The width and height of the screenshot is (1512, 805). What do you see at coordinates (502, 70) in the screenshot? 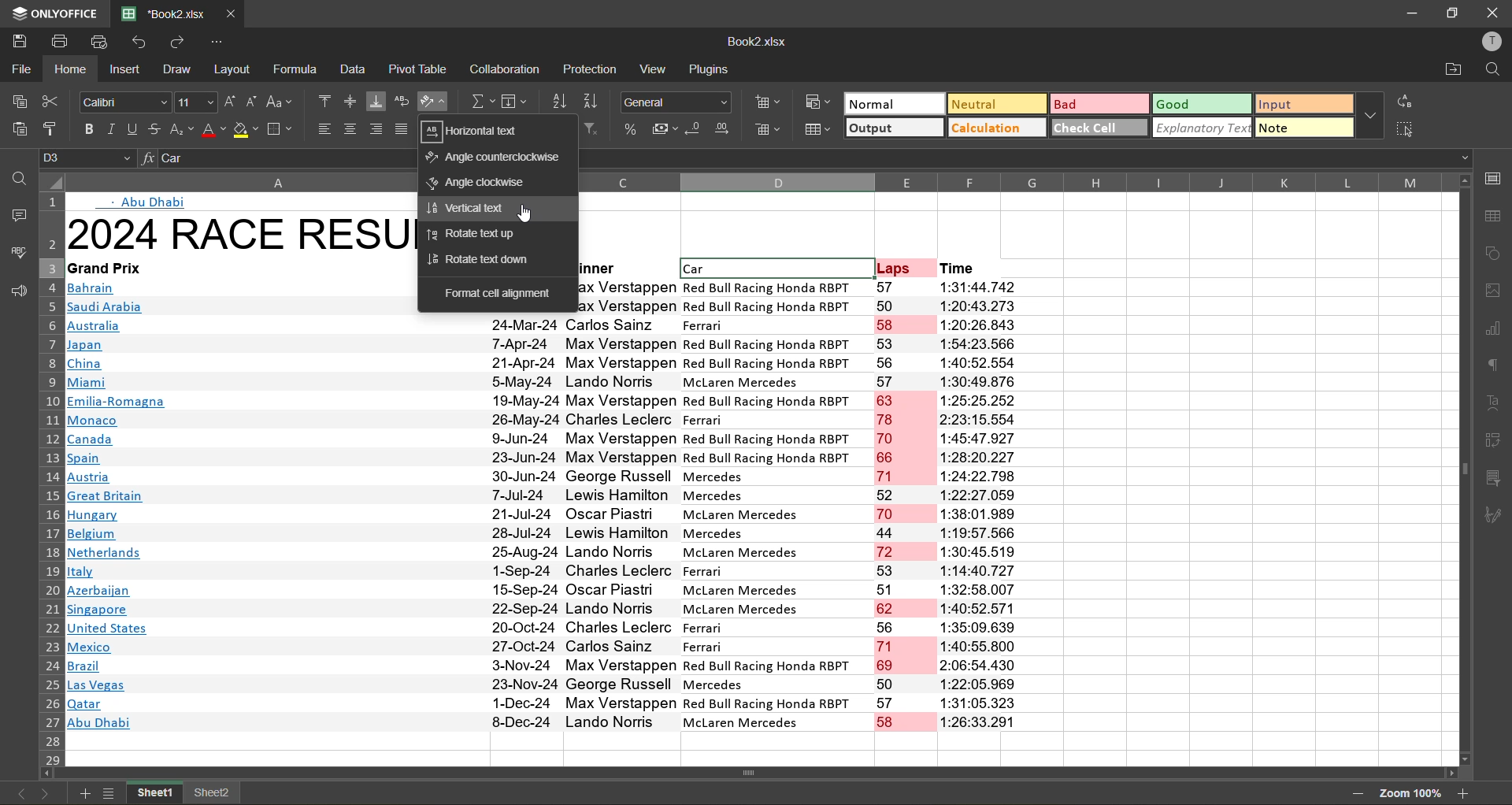
I see `collaboration` at bounding box center [502, 70].